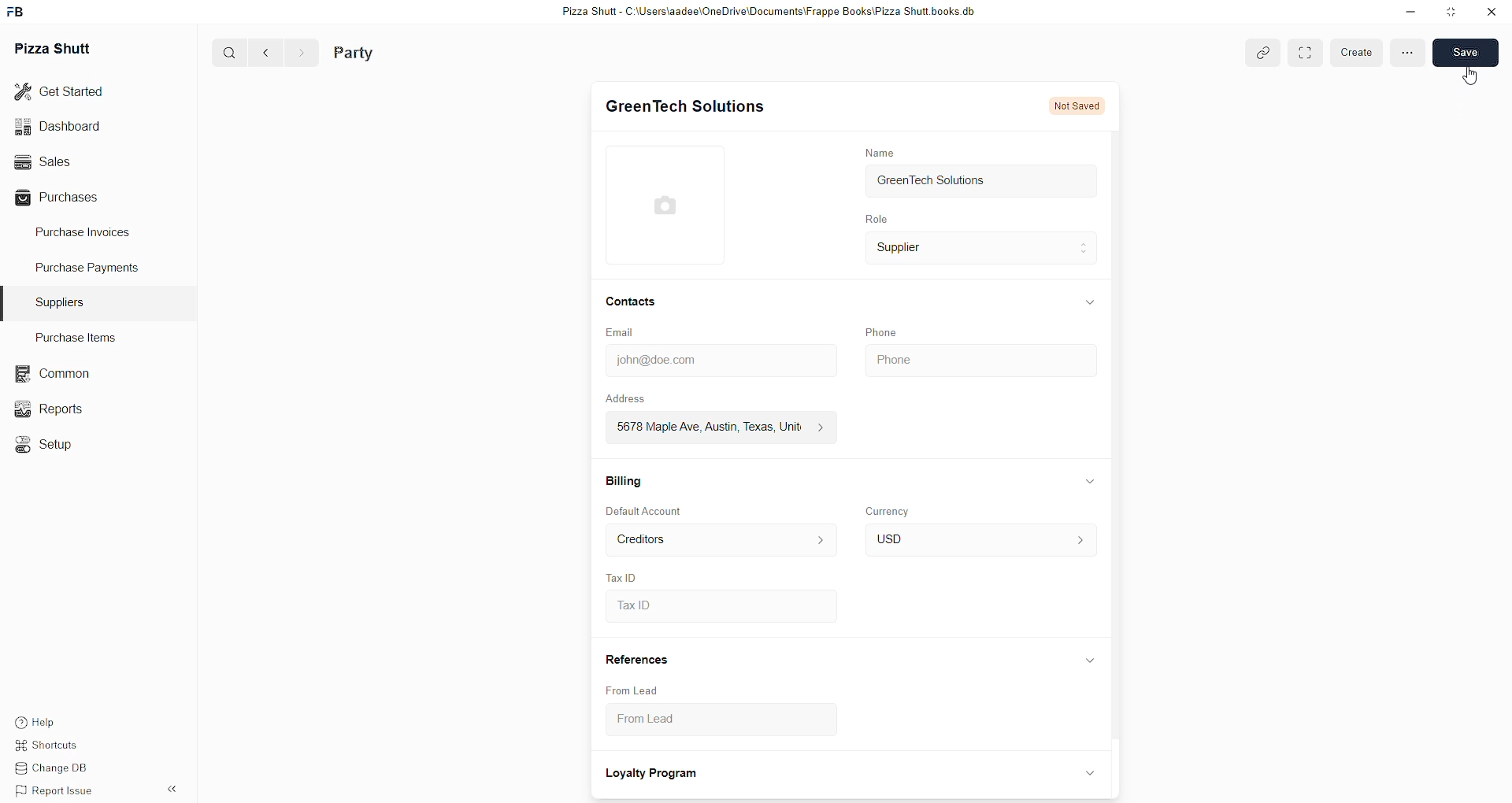  Describe the element at coordinates (670, 205) in the screenshot. I see `placeholder for image` at that location.